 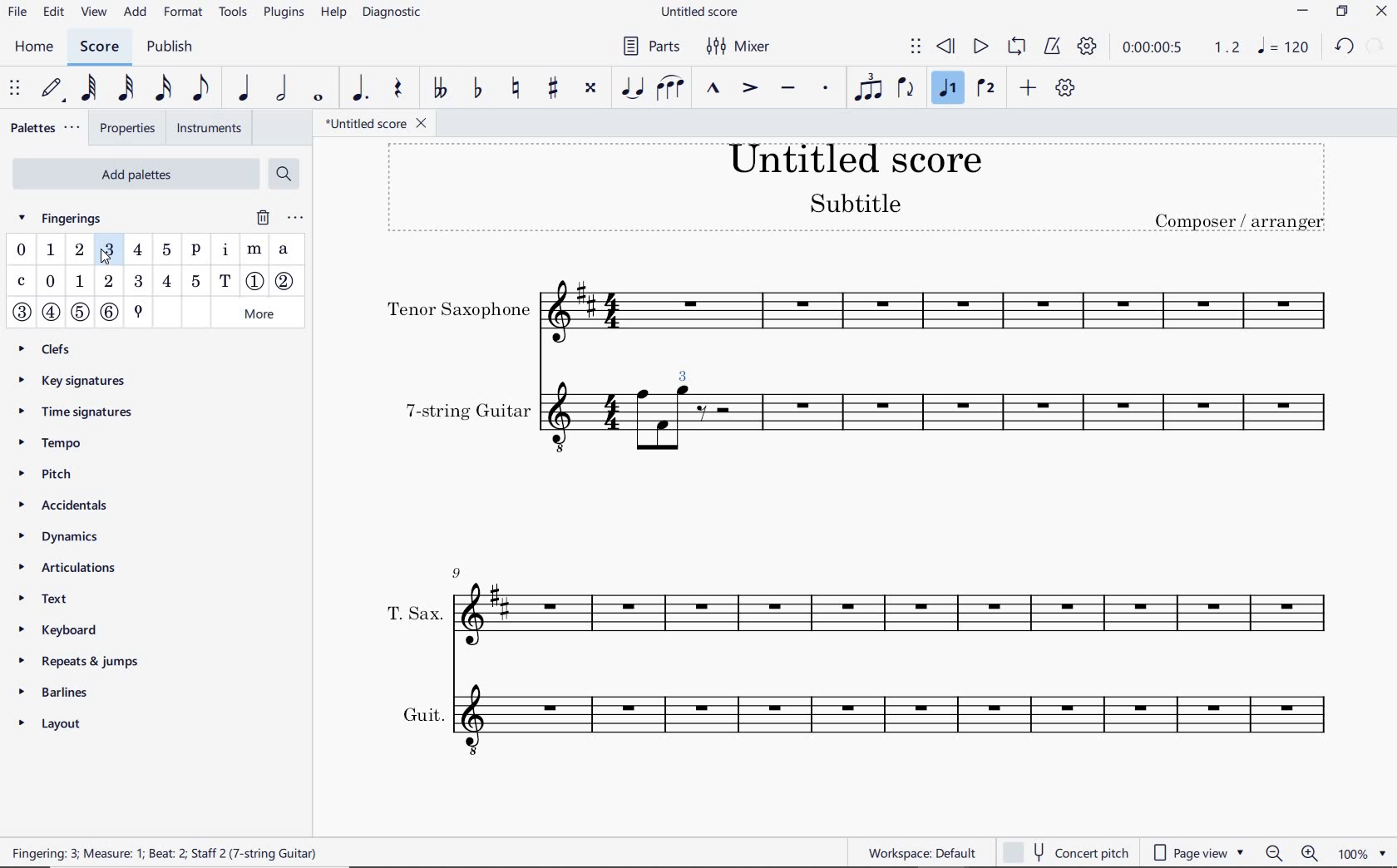 I want to click on MIXER, so click(x=737, y=46).